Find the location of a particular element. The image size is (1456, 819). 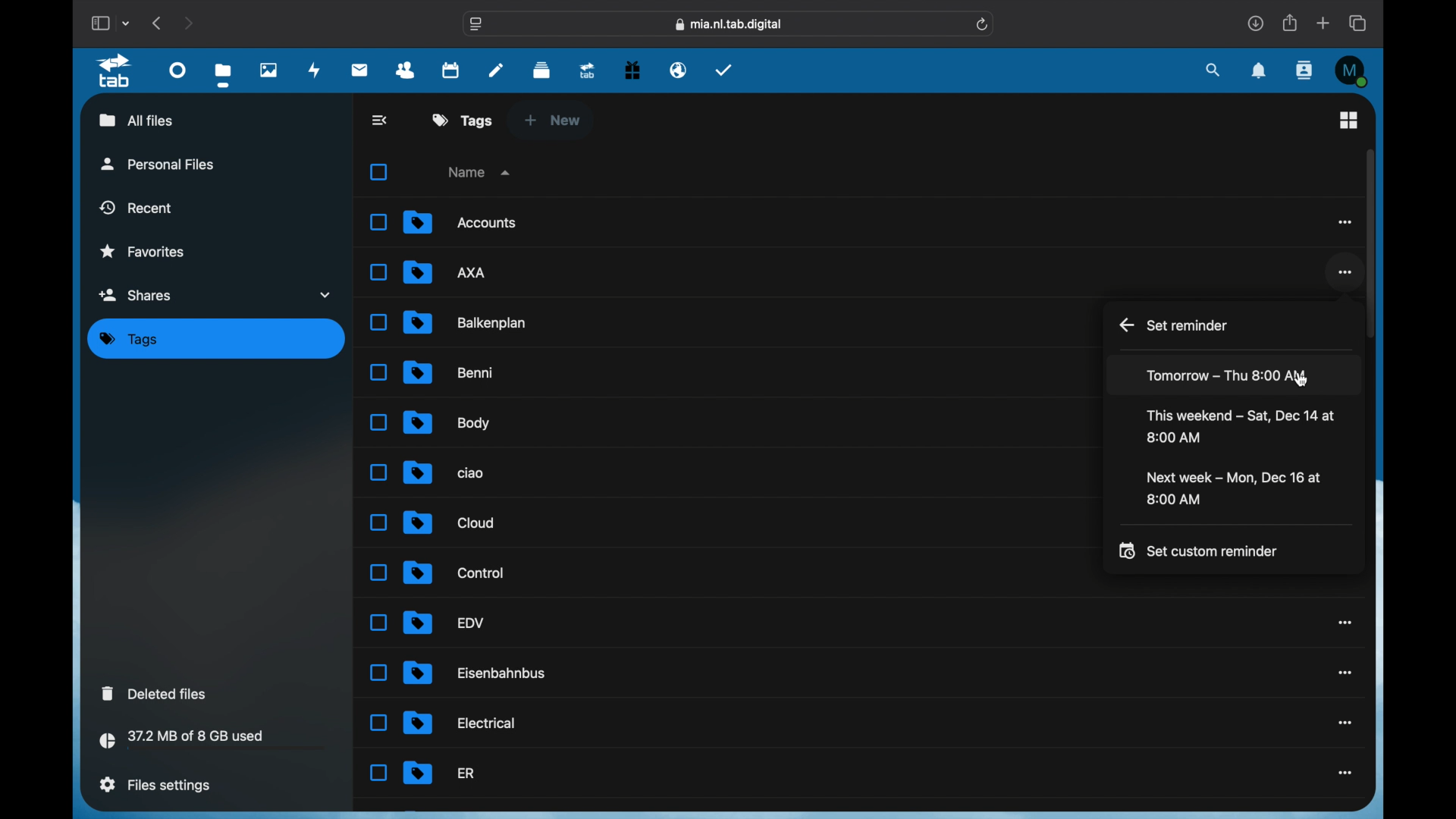

new is located at coordinates (552, 120).